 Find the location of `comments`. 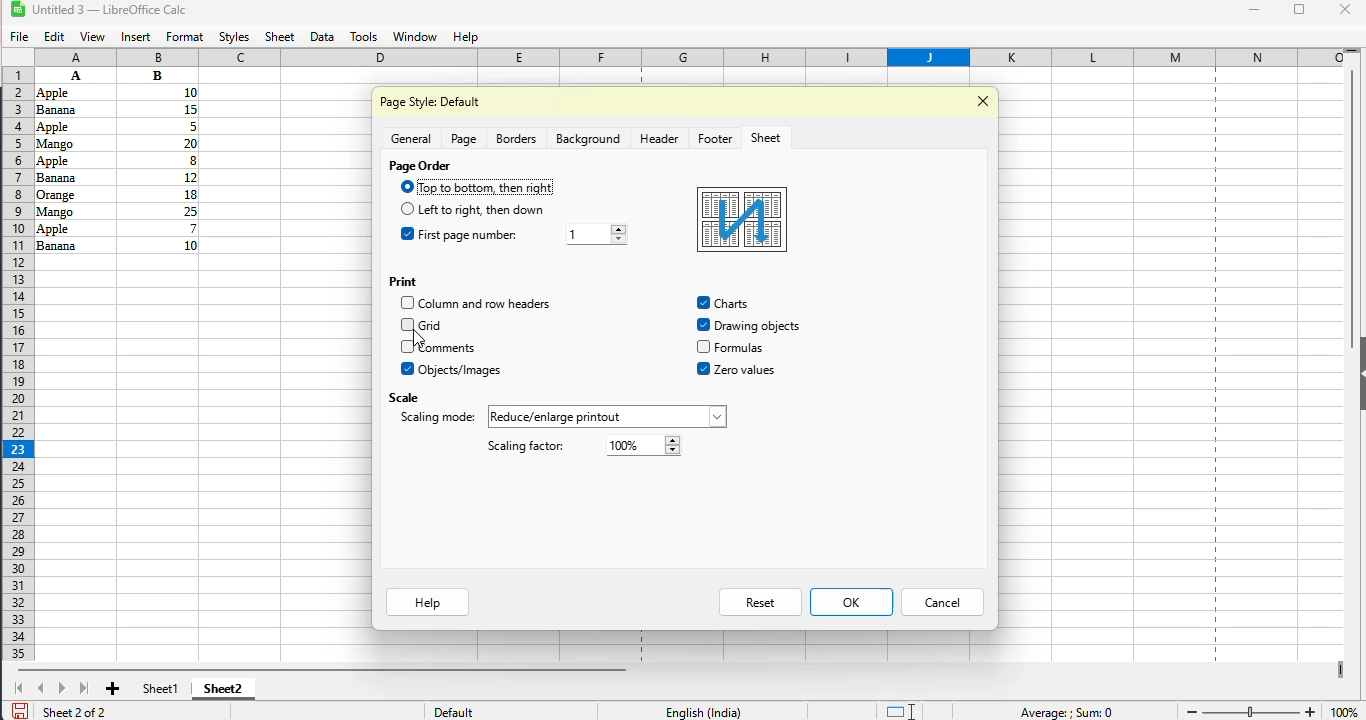

comments is located at coordinates (447, 348).